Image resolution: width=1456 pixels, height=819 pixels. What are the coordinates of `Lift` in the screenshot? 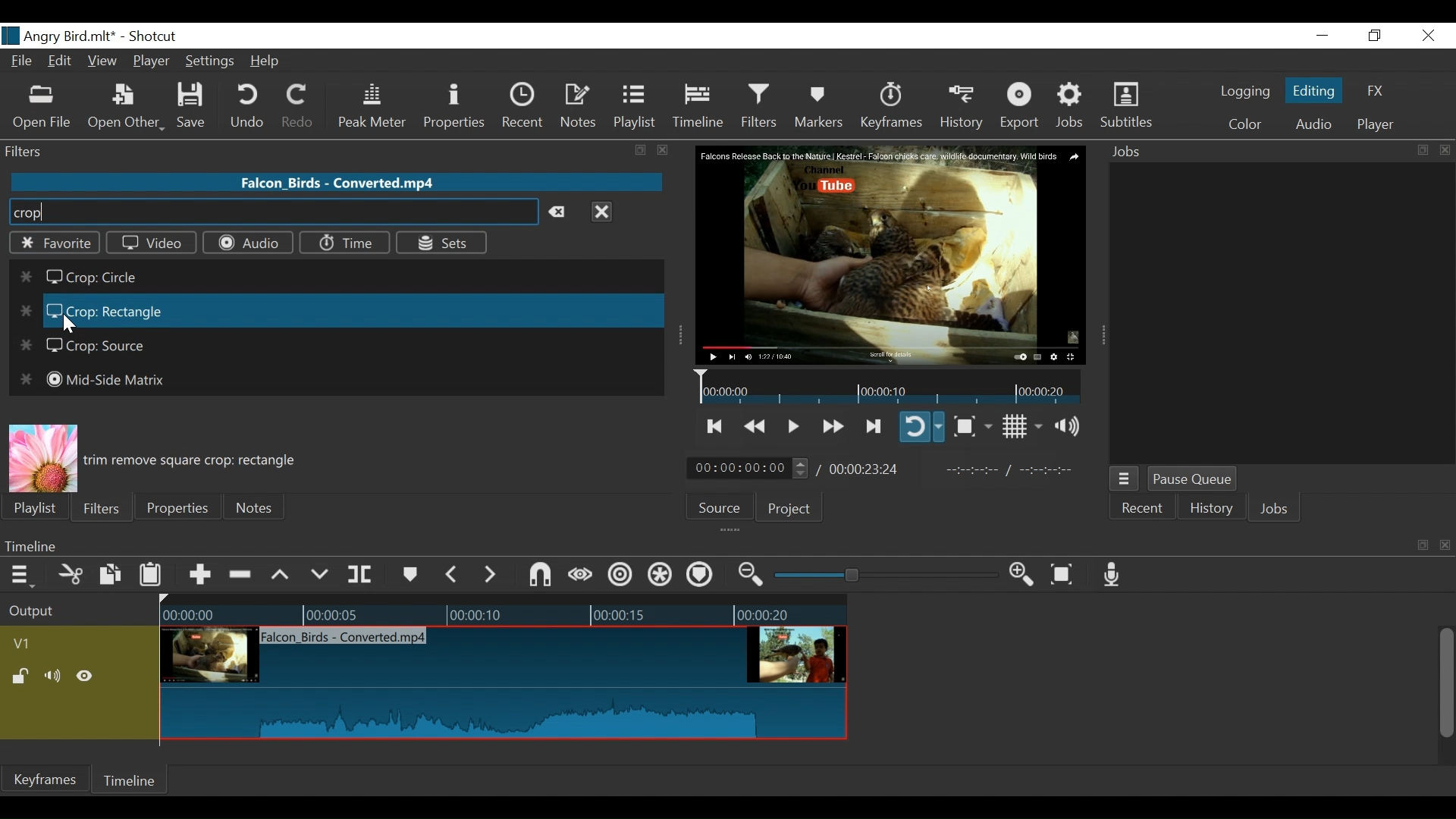 It's located at (283, 576).